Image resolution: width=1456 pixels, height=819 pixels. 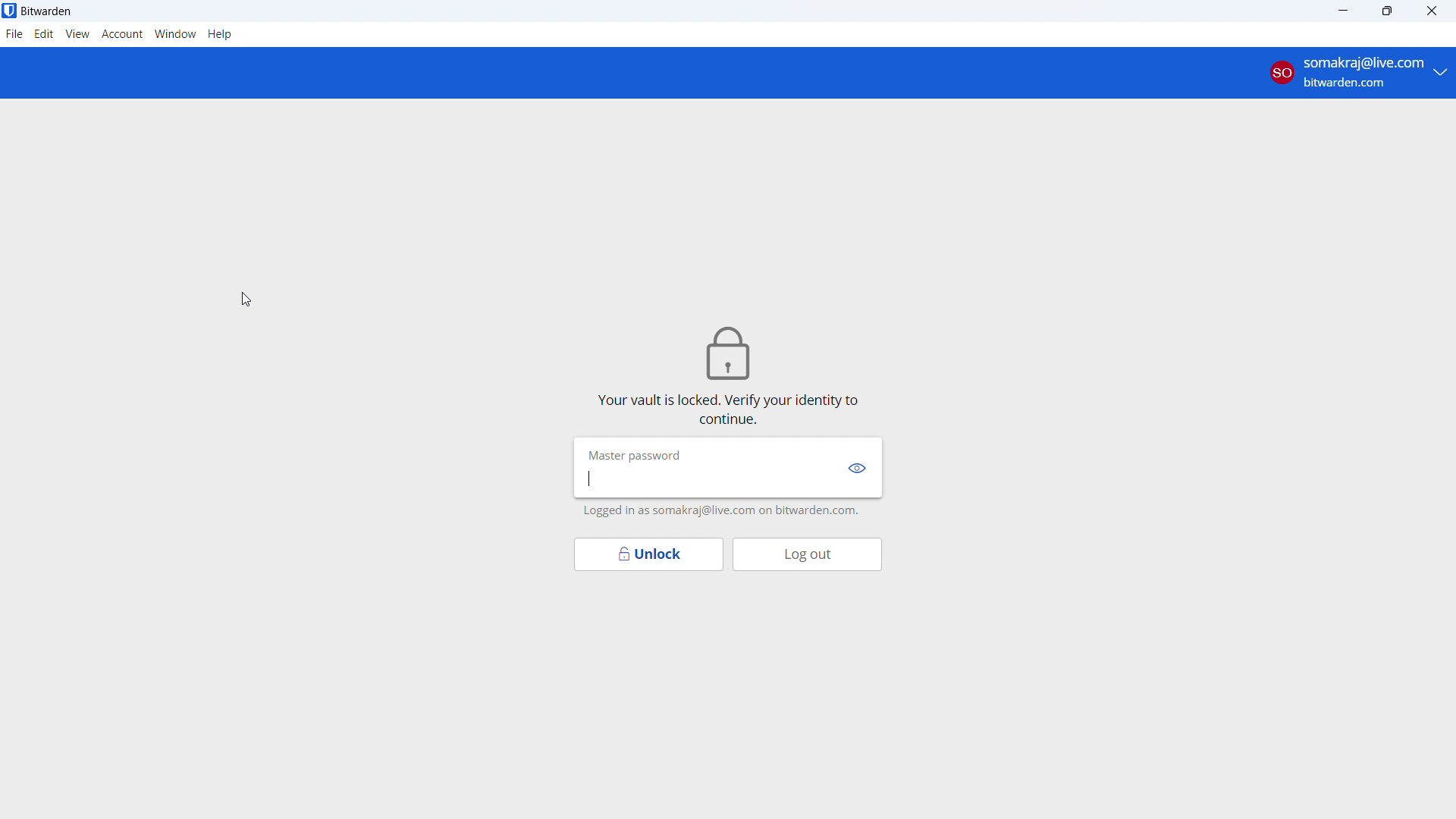 What do you see at coordinates (123, 35) in the screenshot?
I see `account` at bounding box center [123, 35].